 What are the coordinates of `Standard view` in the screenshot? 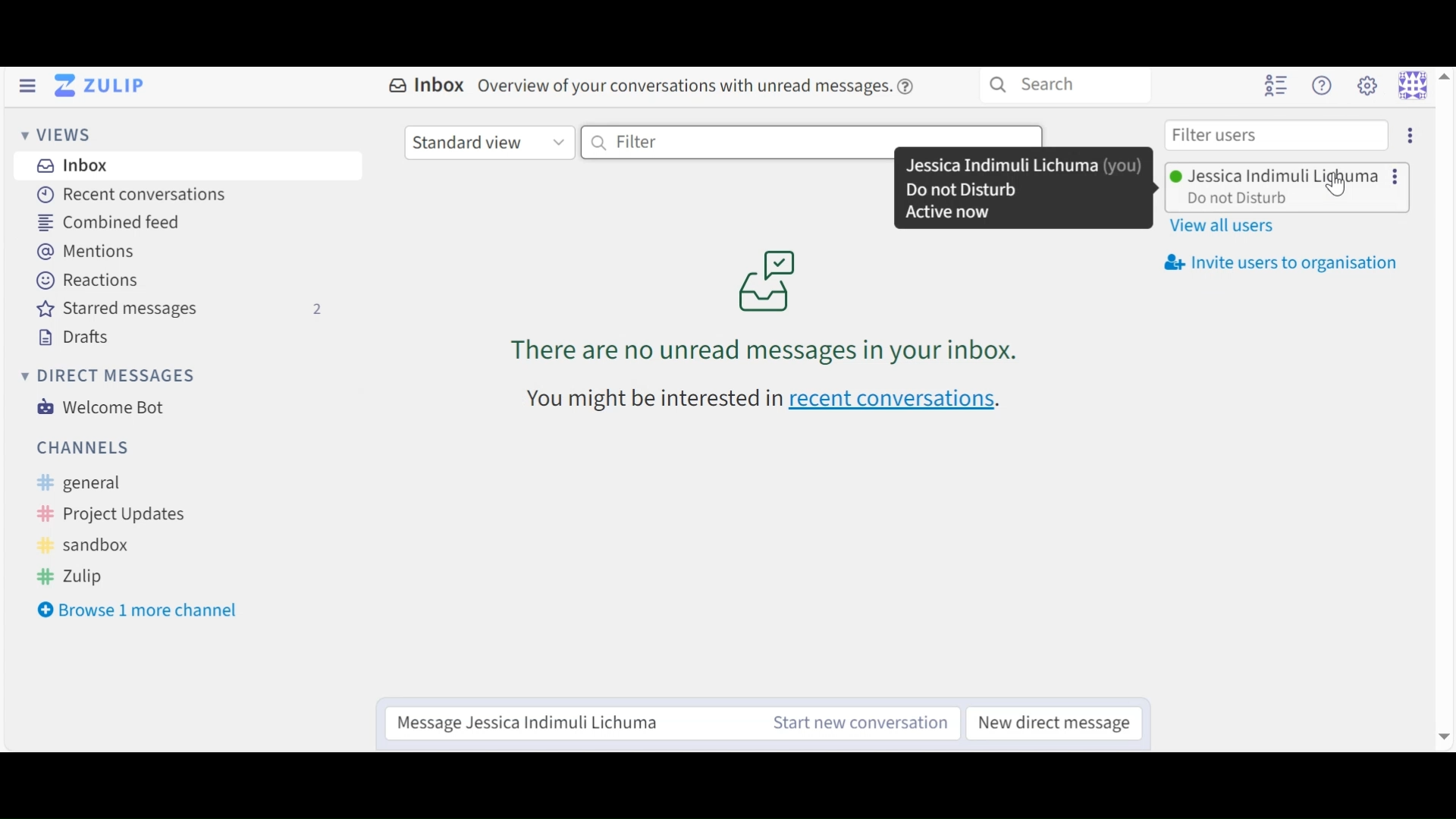 It's located at (488, 143).